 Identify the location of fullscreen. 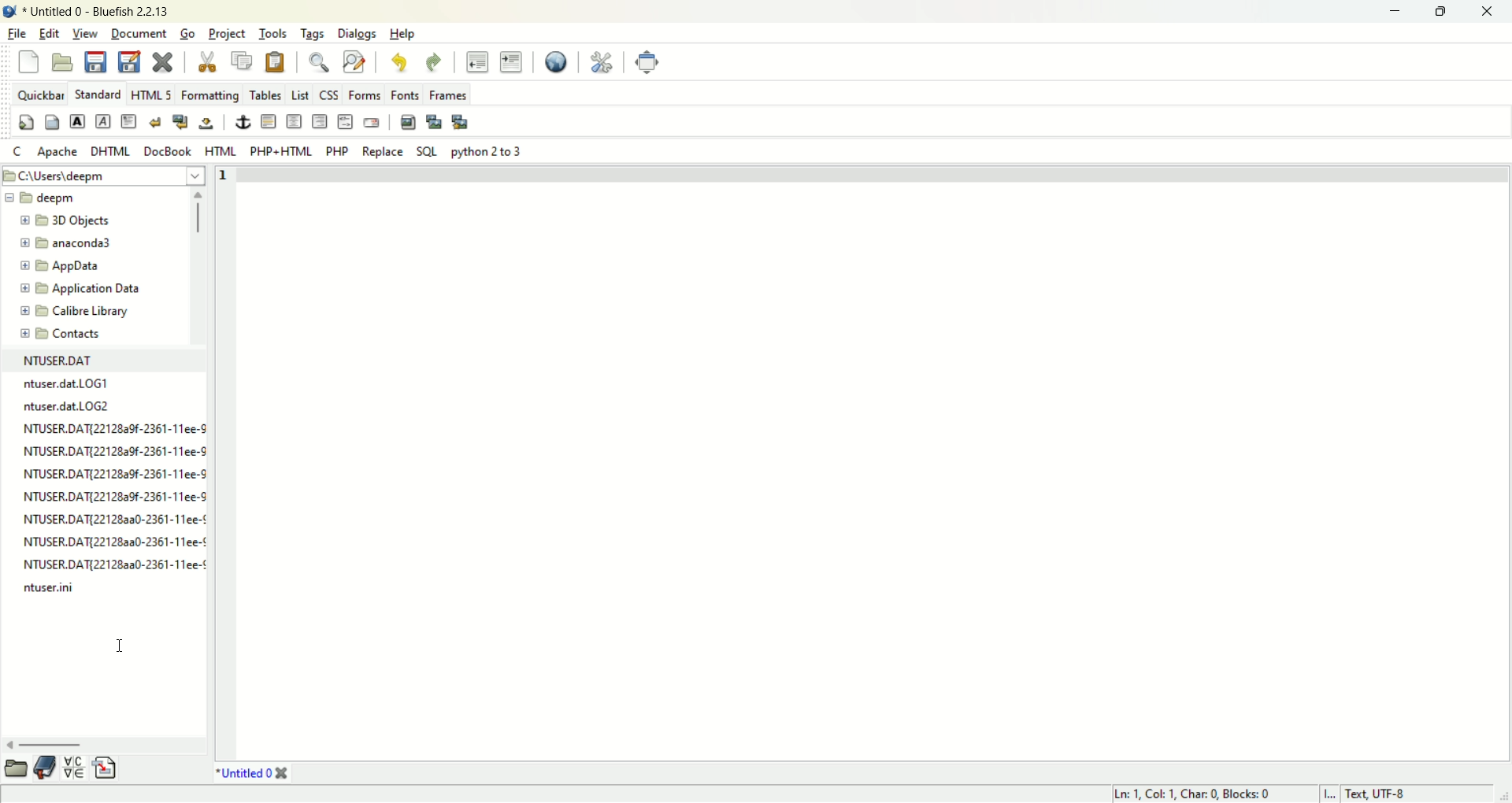
(647, 61).